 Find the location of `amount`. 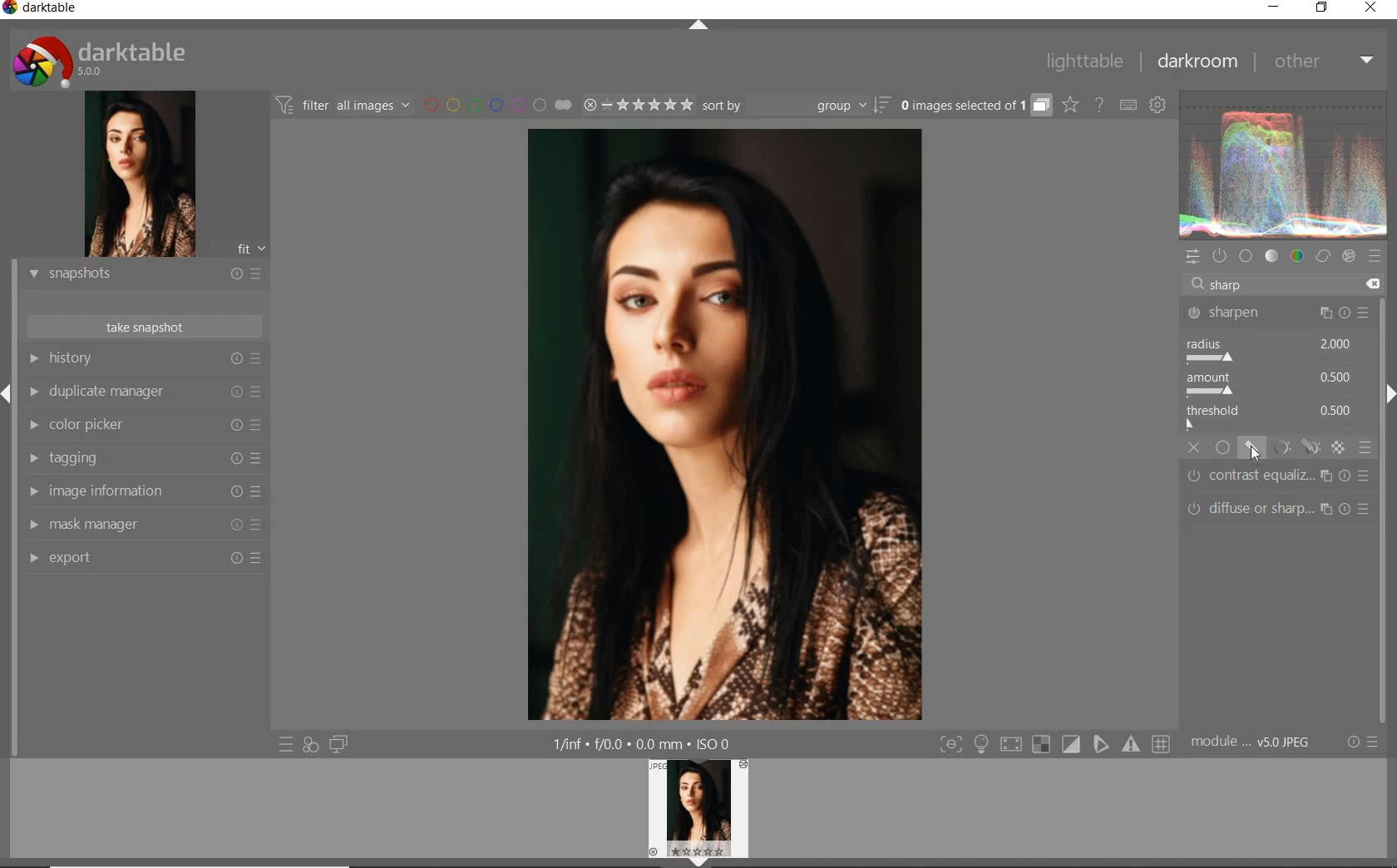

amount is located at coordinates (1272, 383).